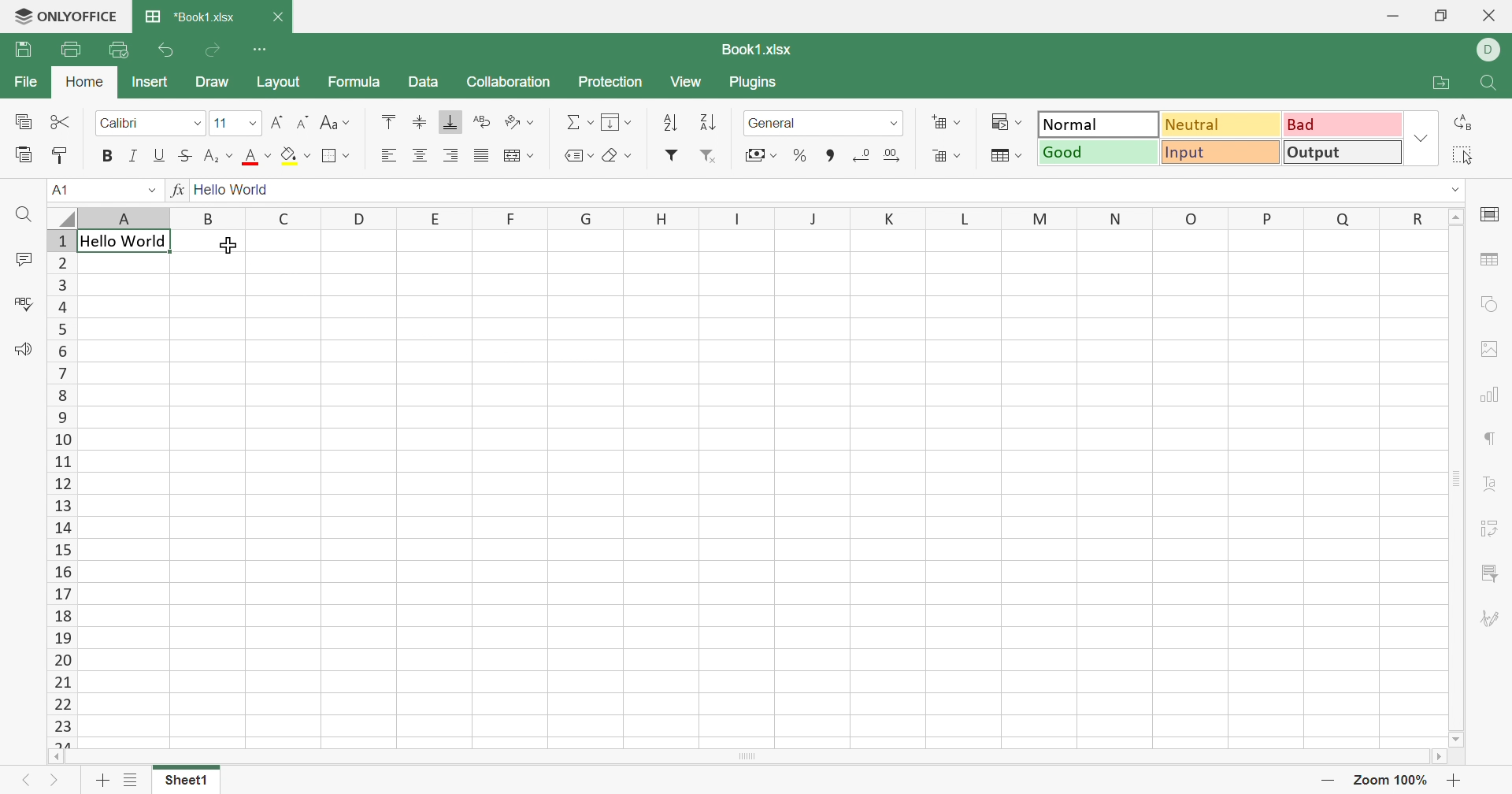  What do you see at coordinates (1489, 574) in the screenshot?
I see `slicer settings` at bounding box center [1489, 574].